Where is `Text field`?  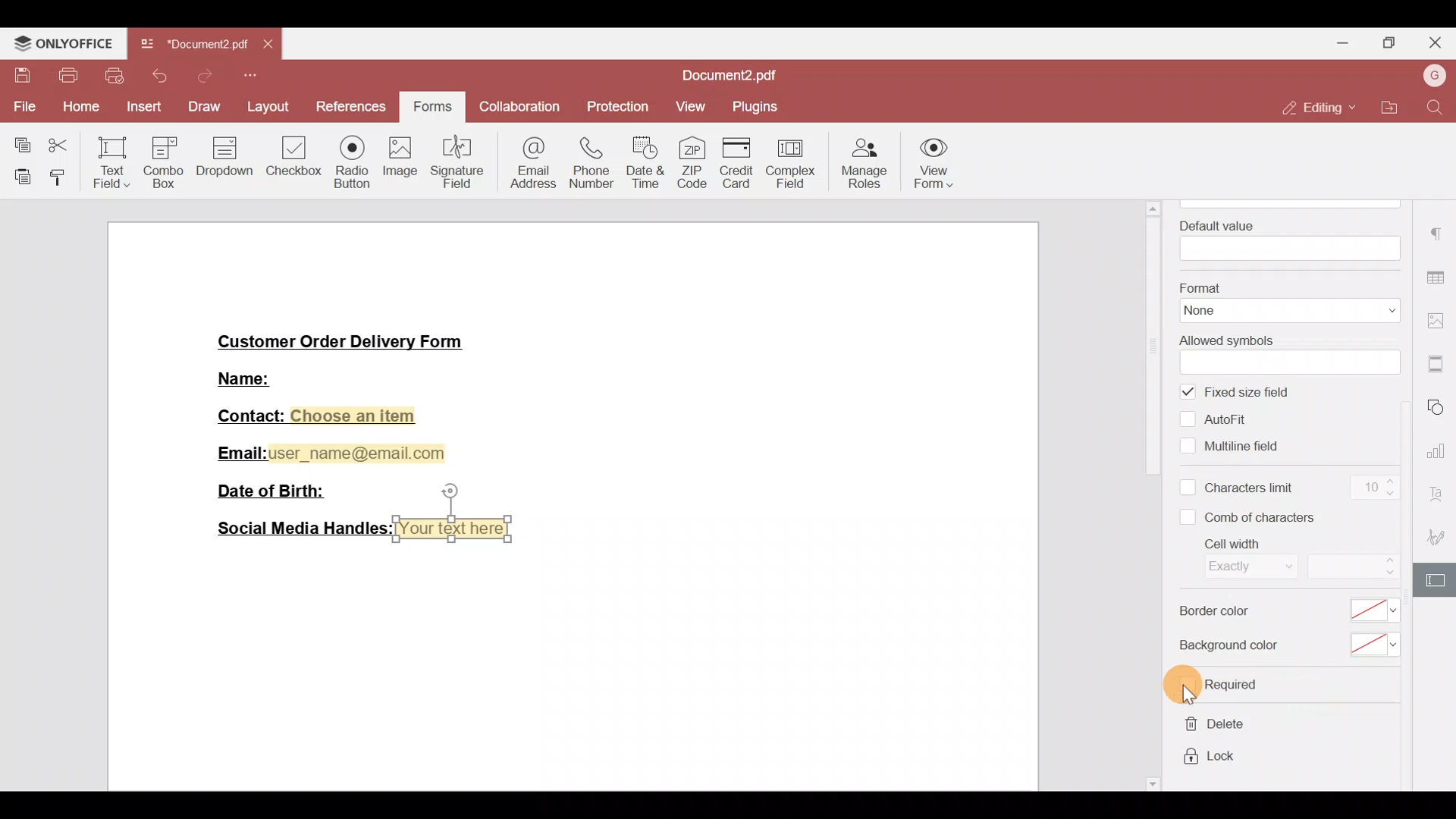 Text field is located at coordinates (107, 164).